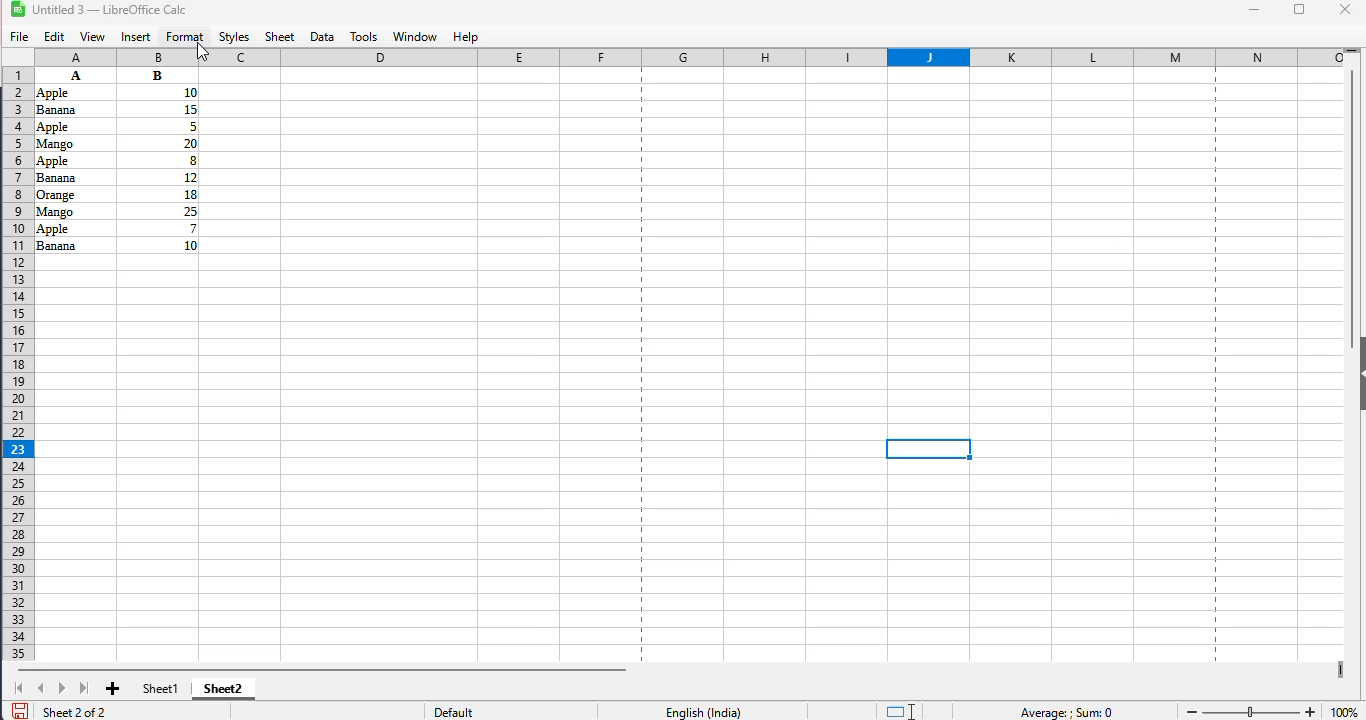 The height and width of the screenshot is (720, 1366). What do you see at coordinates (158, 176) in the screenshot?
I see `` at bounding box center [158, 176].